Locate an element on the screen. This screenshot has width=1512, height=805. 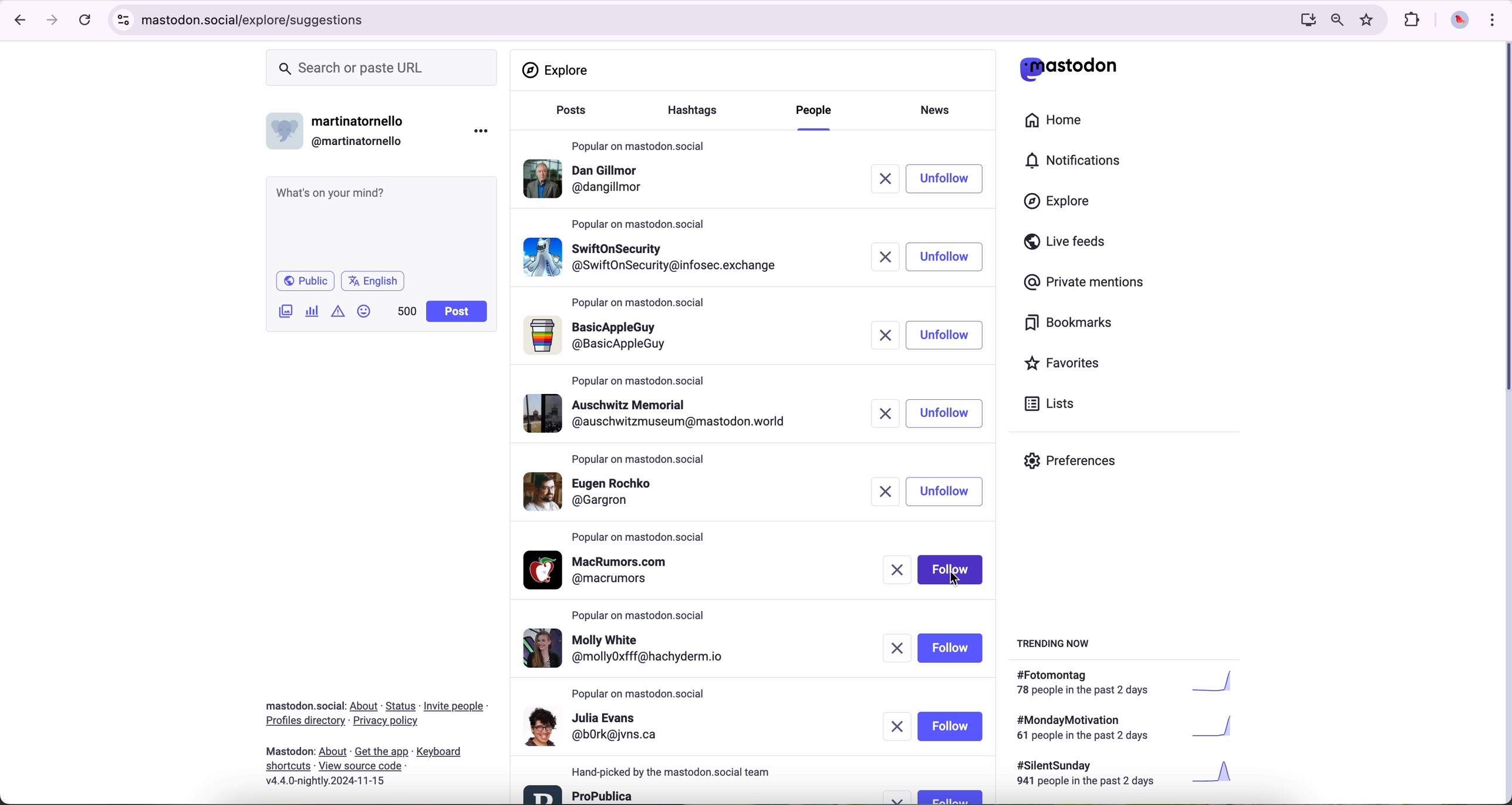
posts is located at coordinates (568, 116).